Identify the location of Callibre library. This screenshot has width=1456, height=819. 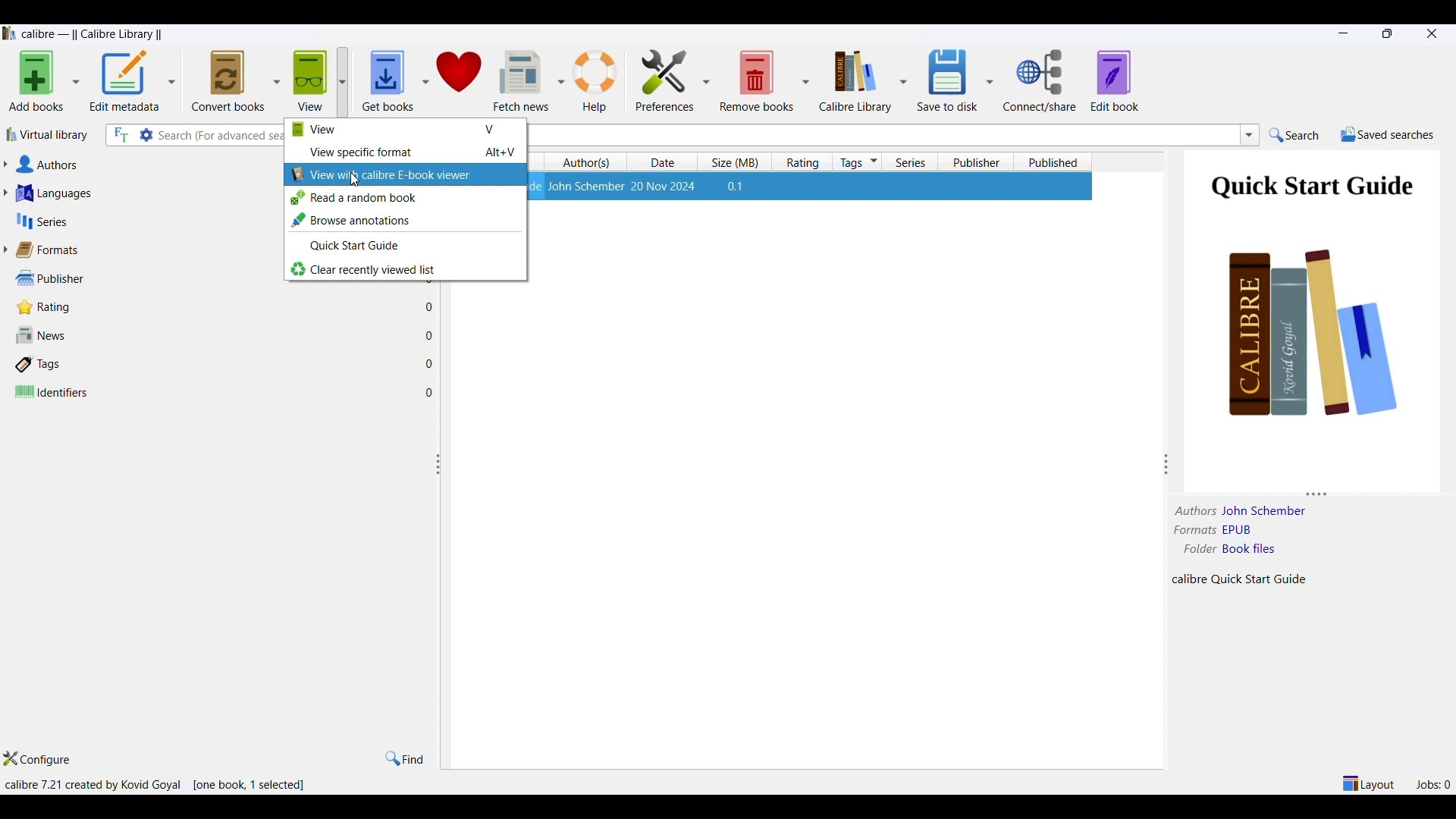
(90, 35).